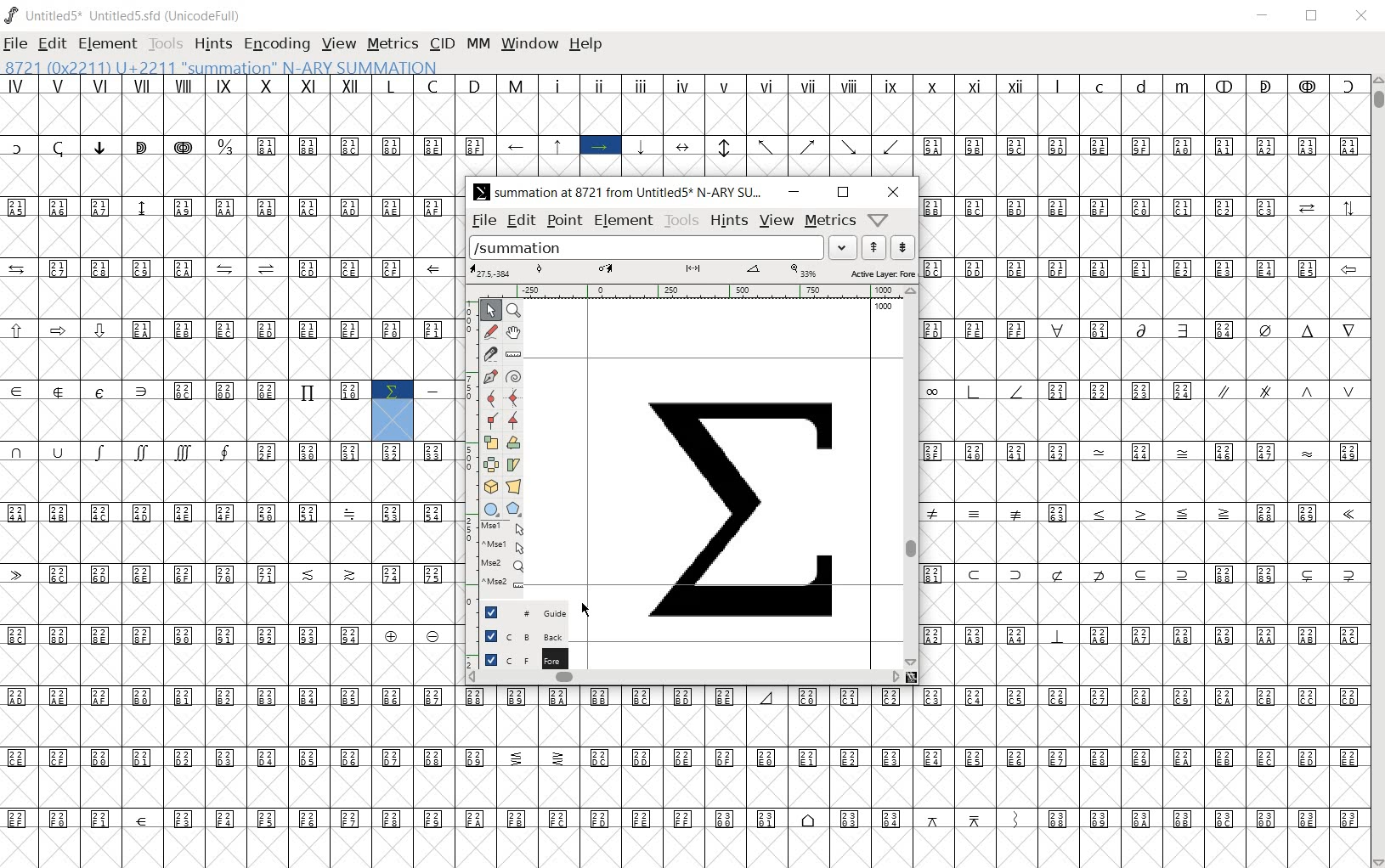  I want to click on flip the selection, so click(492, 465).